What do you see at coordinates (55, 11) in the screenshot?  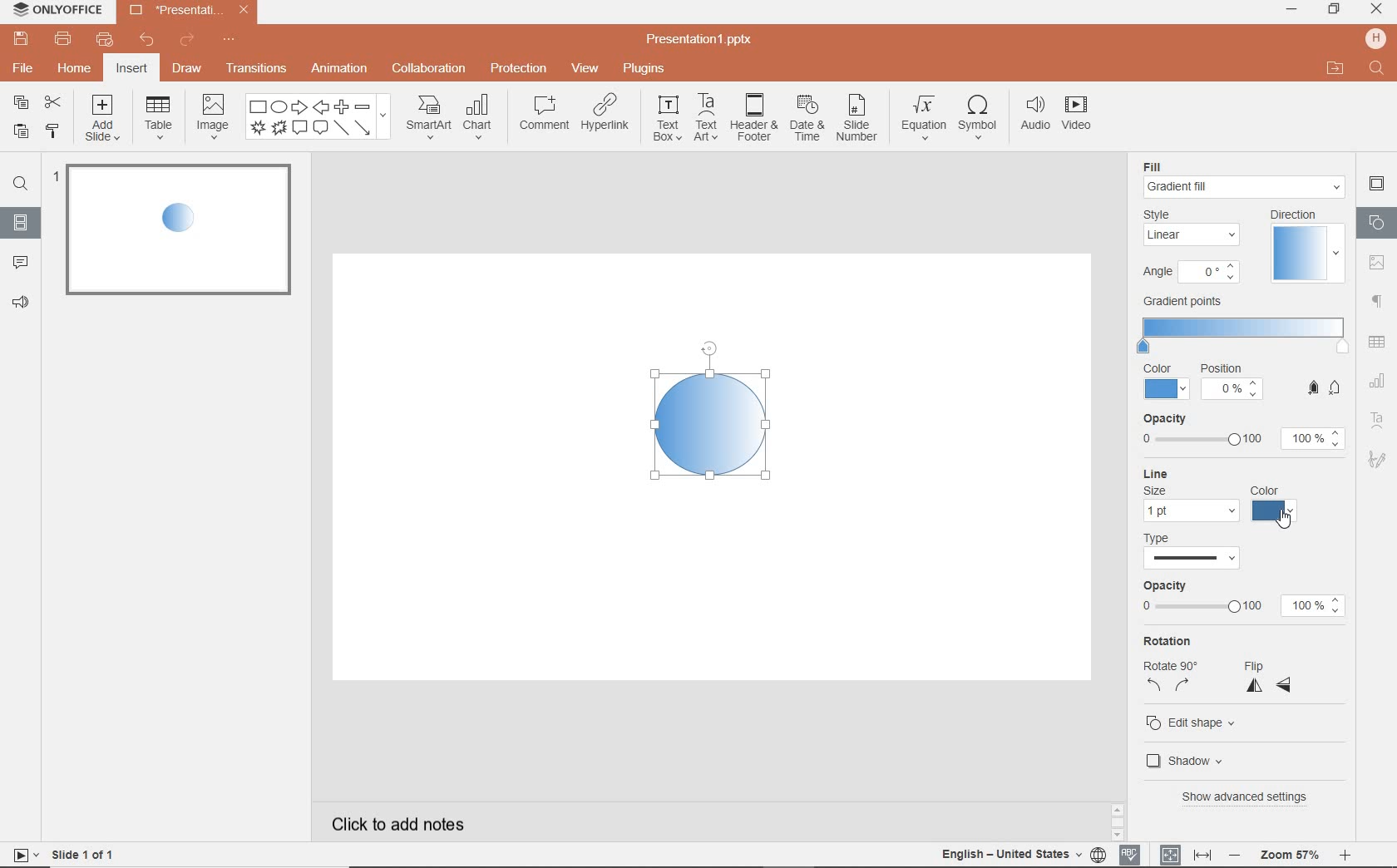 I see `system name` at bounding box center [55, 11].